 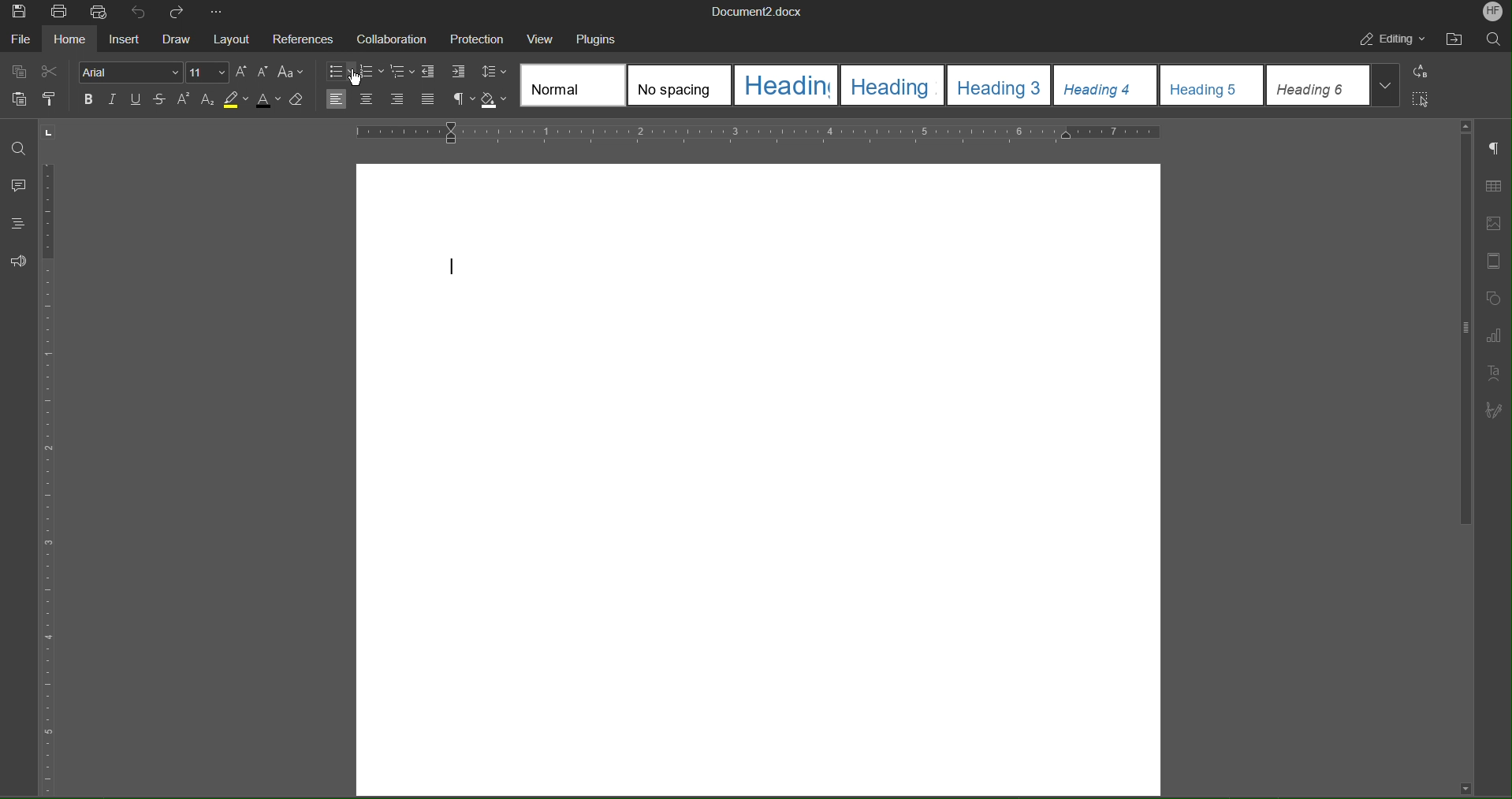 I want to click on Feedback and Support, so click(x=23, y=261).